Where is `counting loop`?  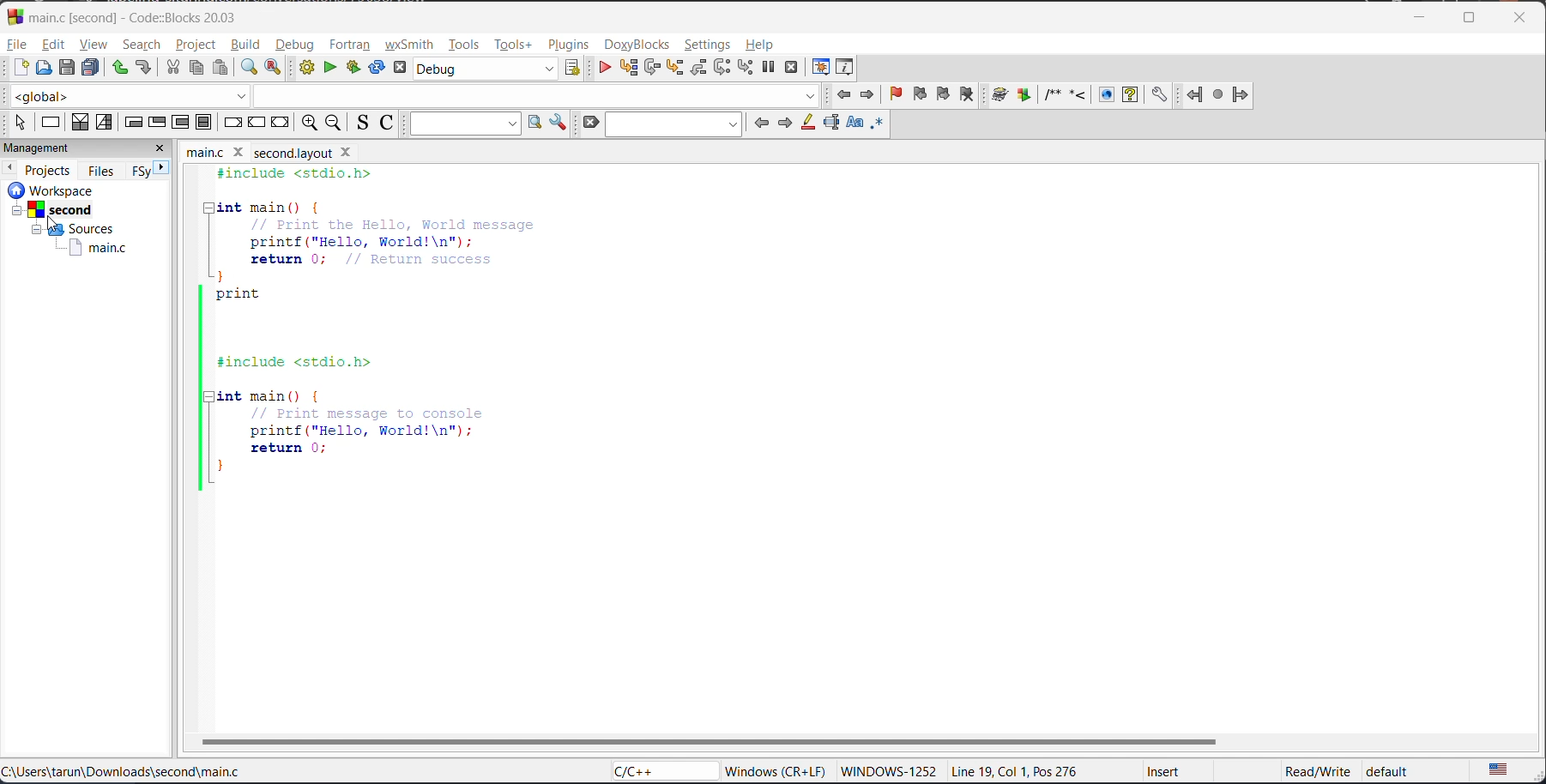
counting loop is located at coordinates (178, 121).